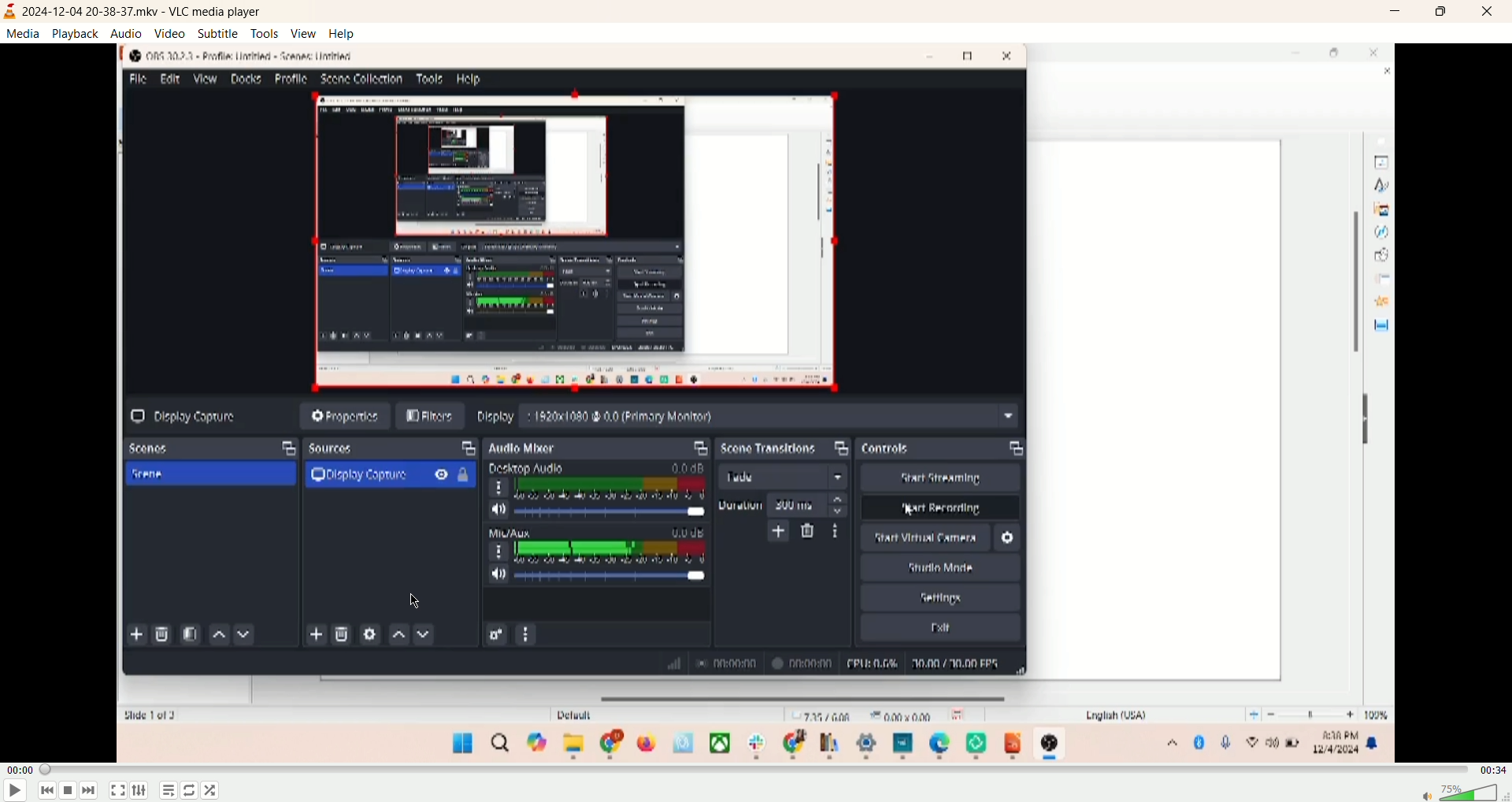 This screenshot has height=802, width=1512. What do you see at coordinates (142, 790) in the screenshot?
I see `extended playlist` at bounding box center [142, 790].